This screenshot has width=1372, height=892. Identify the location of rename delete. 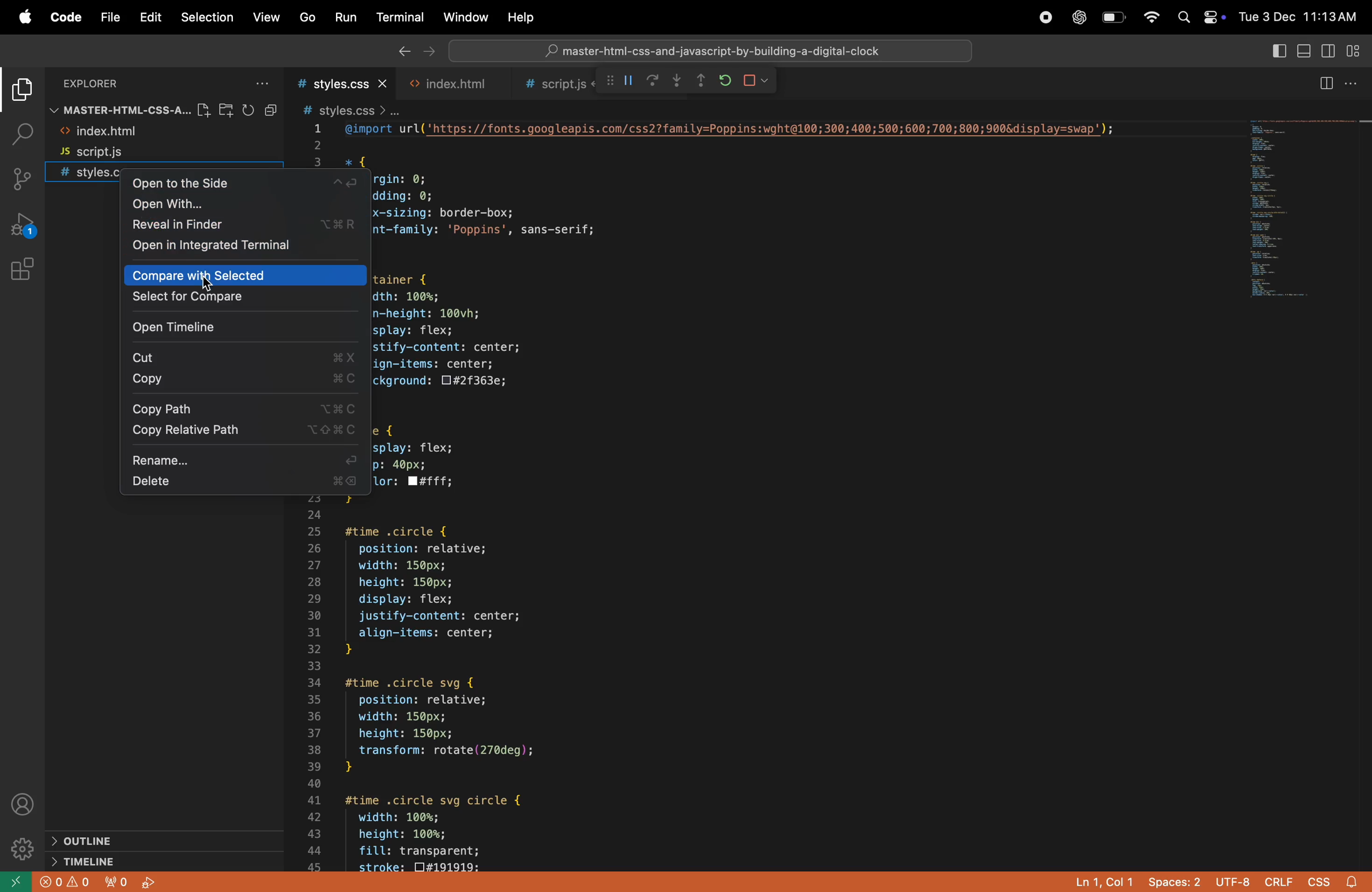
(246, 459).